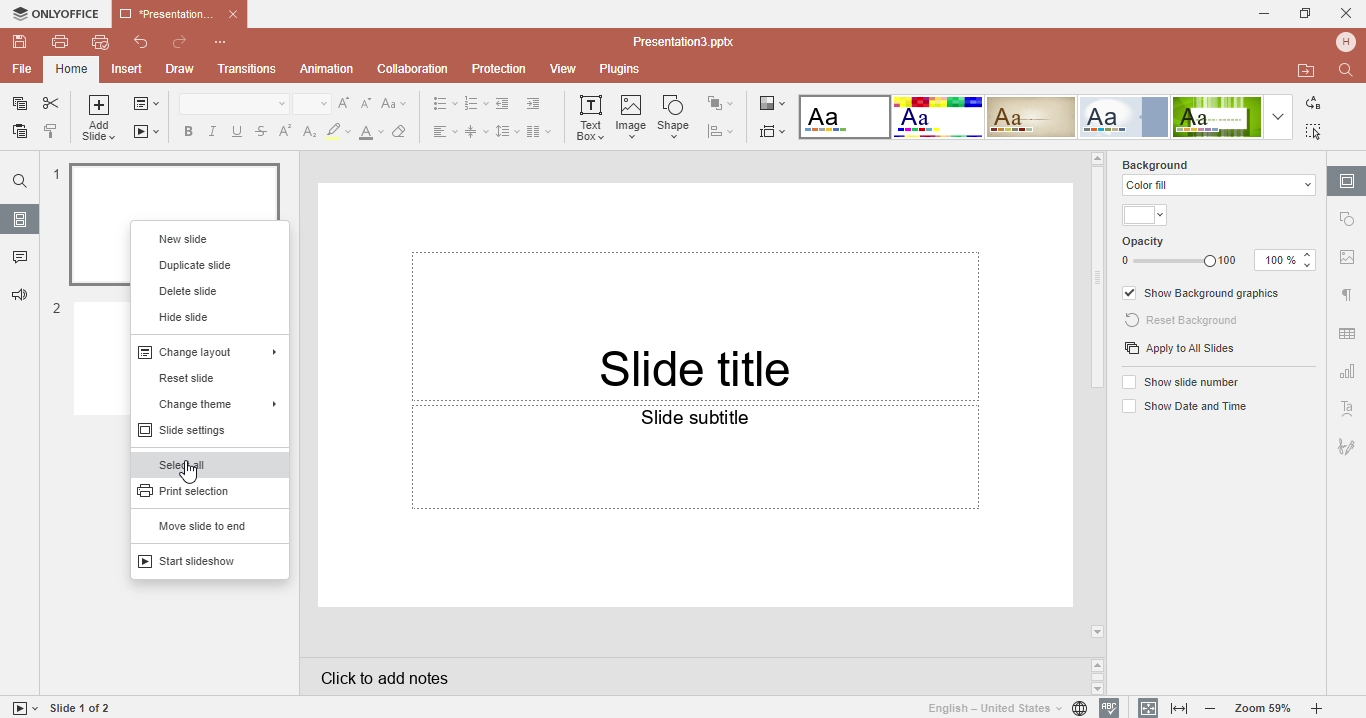 Image resolution: width=1366 pixels, height=718 pixels. Describe the element at coordinates (198, 378) in the screenshot. I see `Reset slide` at that location.